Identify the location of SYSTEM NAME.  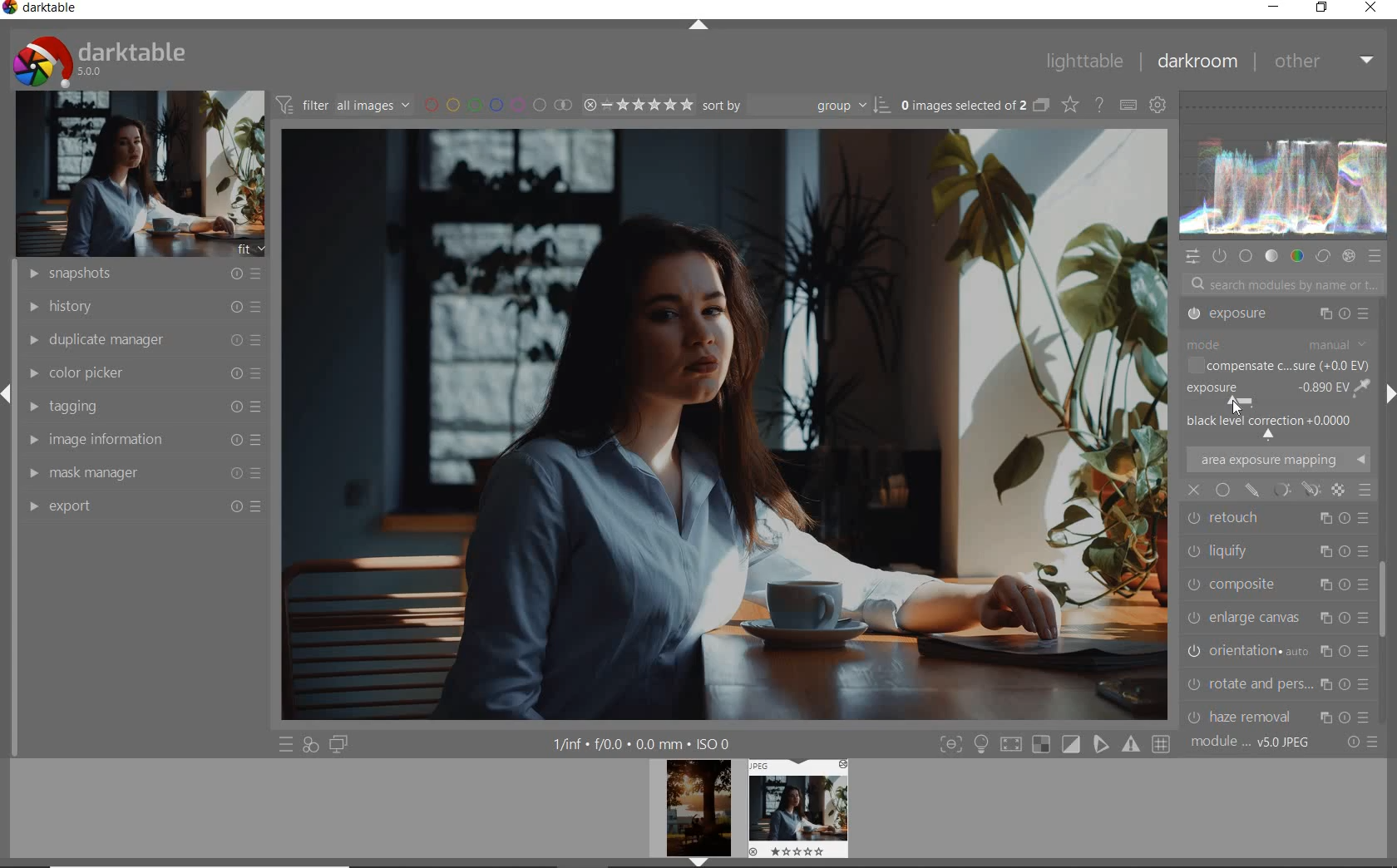
(42, 11).